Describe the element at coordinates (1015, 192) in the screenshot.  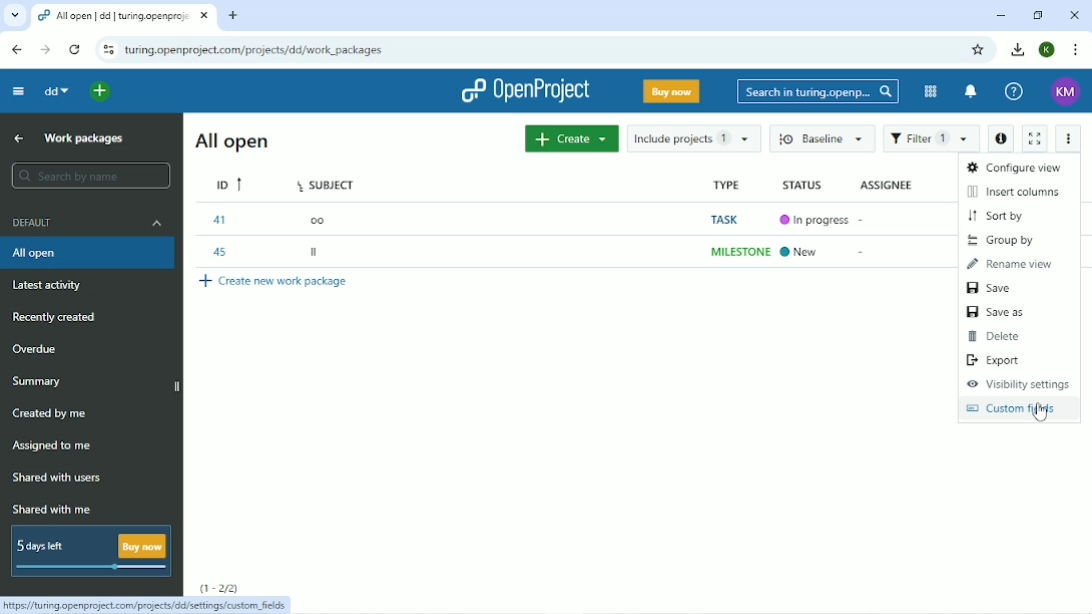
I see `Insert columns` at that location.